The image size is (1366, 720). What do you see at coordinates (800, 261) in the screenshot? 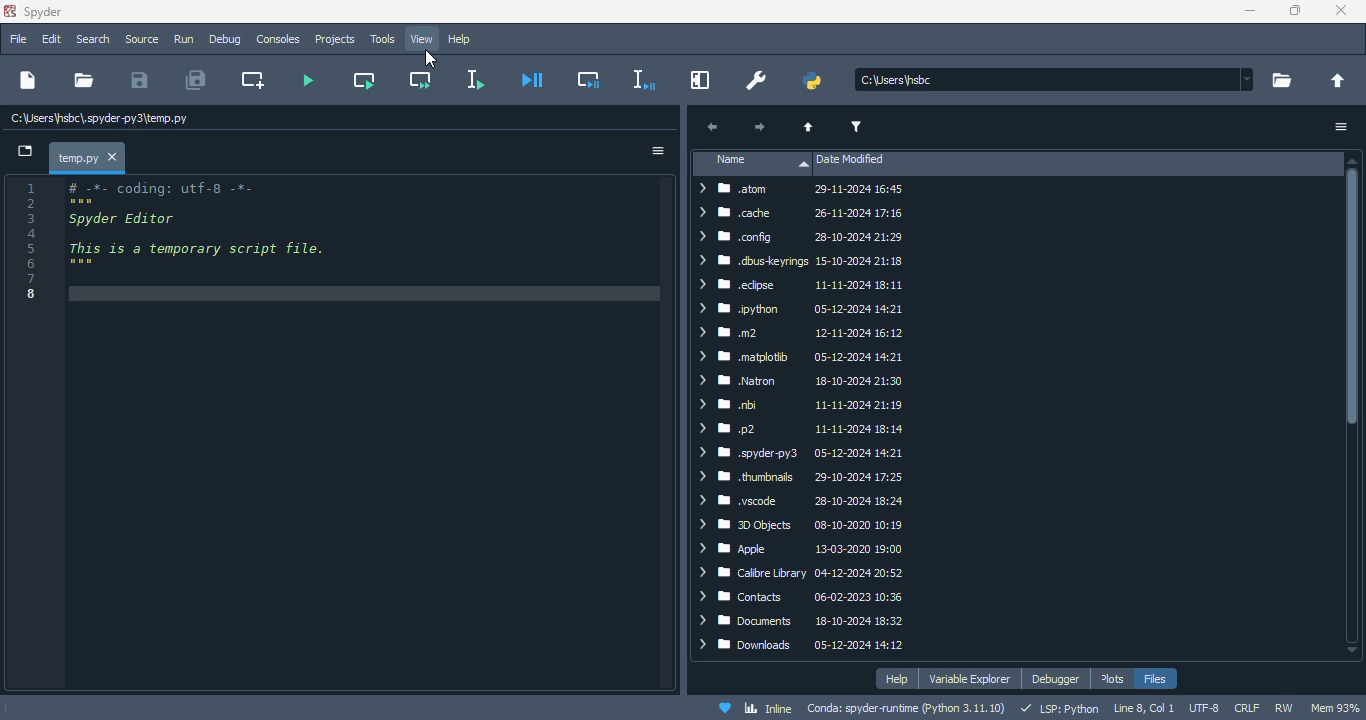
I see `.dbus-keyrings` at bounding box center [800, 261].